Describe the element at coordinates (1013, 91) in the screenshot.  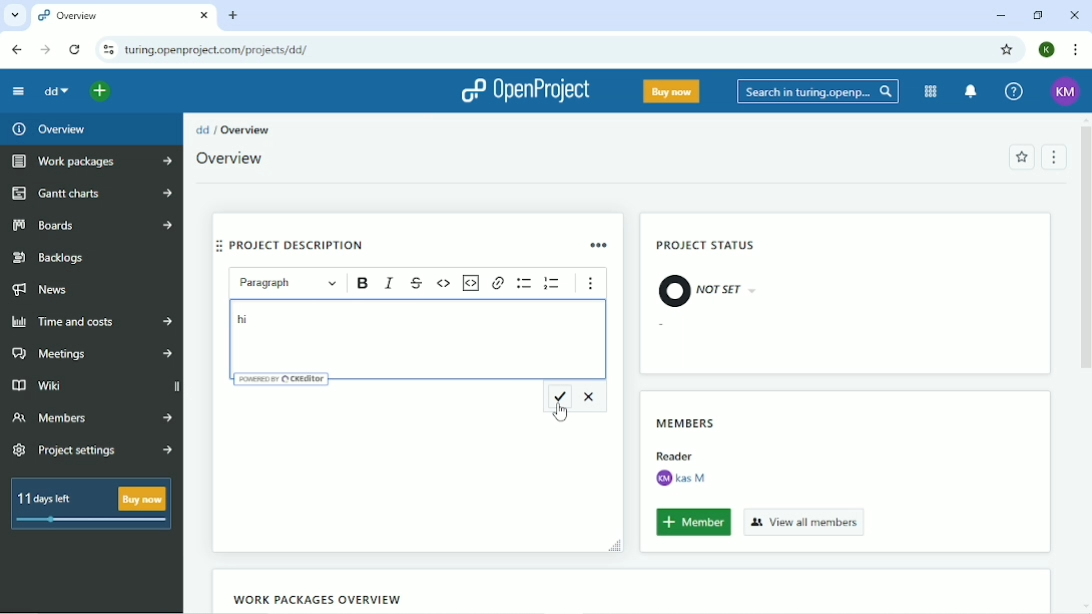
I see `Help` at that location.